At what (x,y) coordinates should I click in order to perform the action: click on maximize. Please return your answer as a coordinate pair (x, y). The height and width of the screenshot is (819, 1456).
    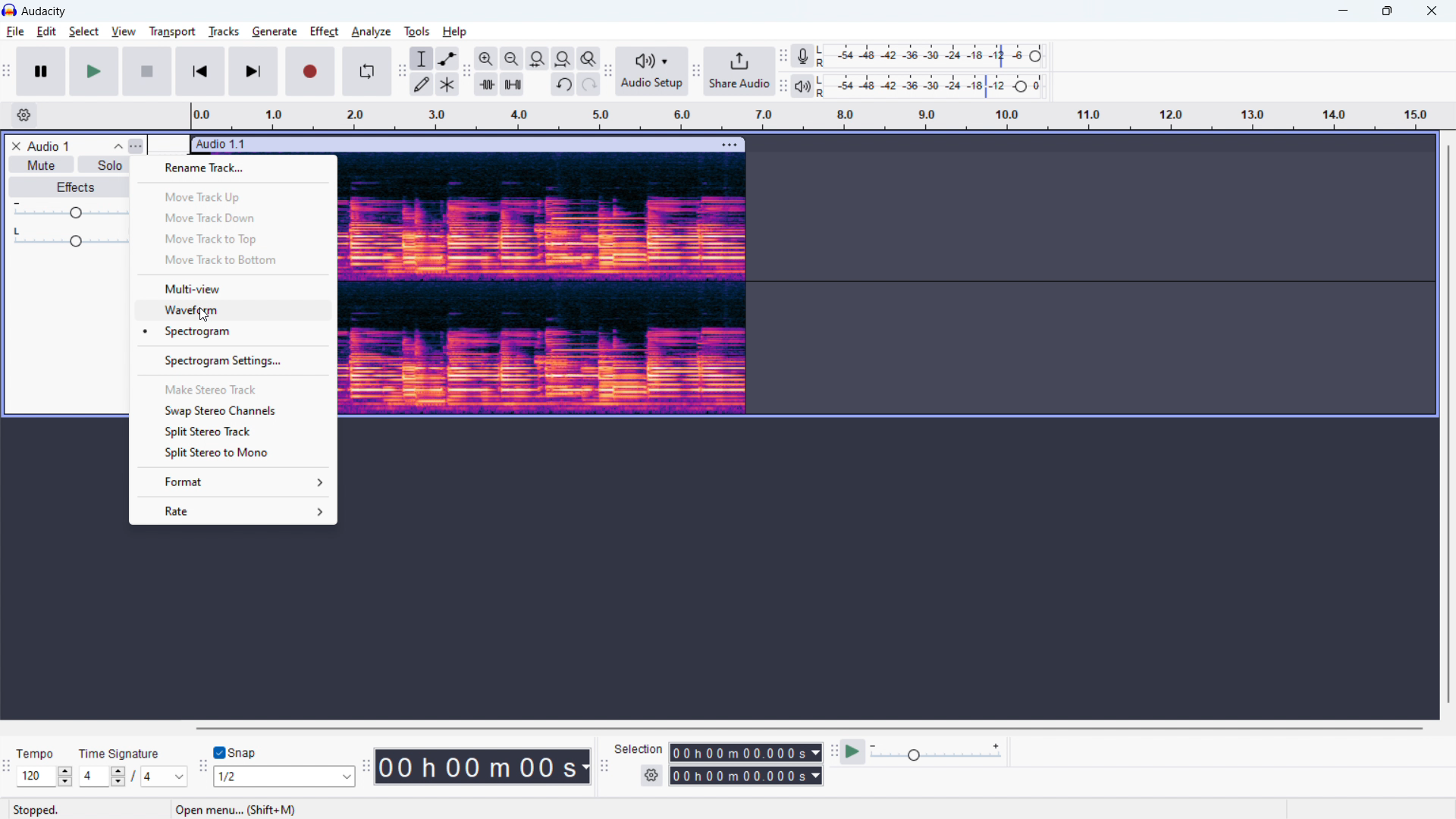
    Looking at the image, I should click on (1387, 11).